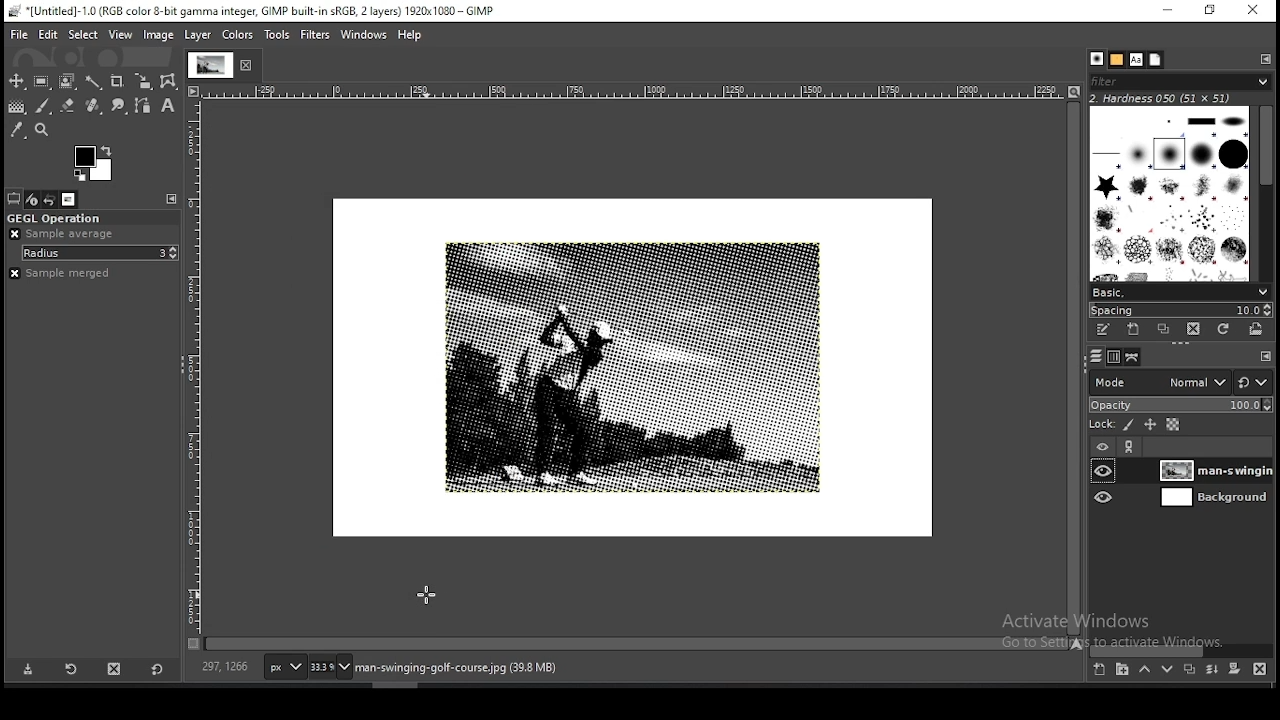 The height and width of the screenshot is (720, 1280). Describe the element at coordinates (66, 199) in the screenshot. I see `images` at that location.